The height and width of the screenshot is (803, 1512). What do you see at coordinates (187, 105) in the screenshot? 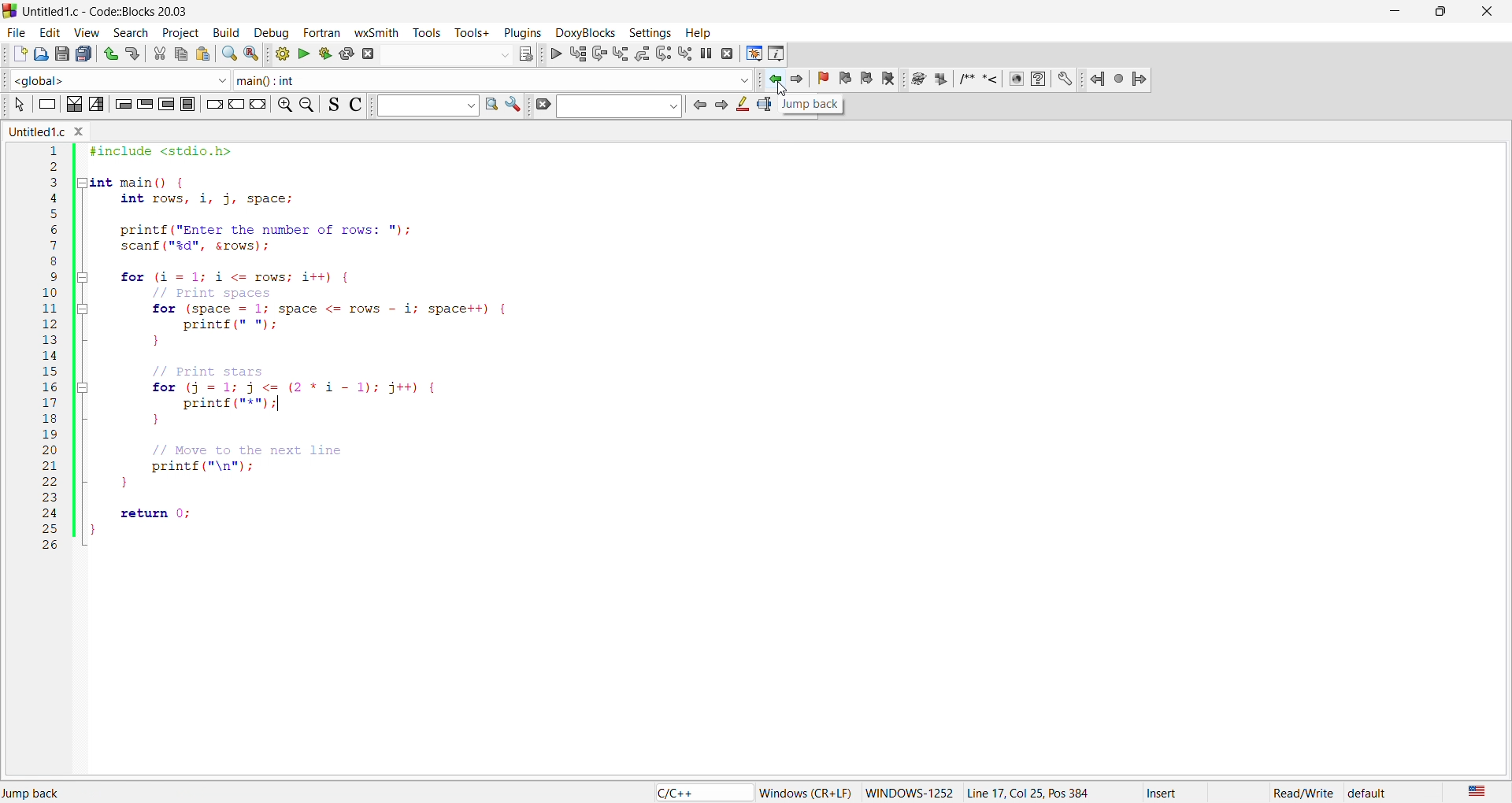
I see `icon` at bounding box center [187, 105].